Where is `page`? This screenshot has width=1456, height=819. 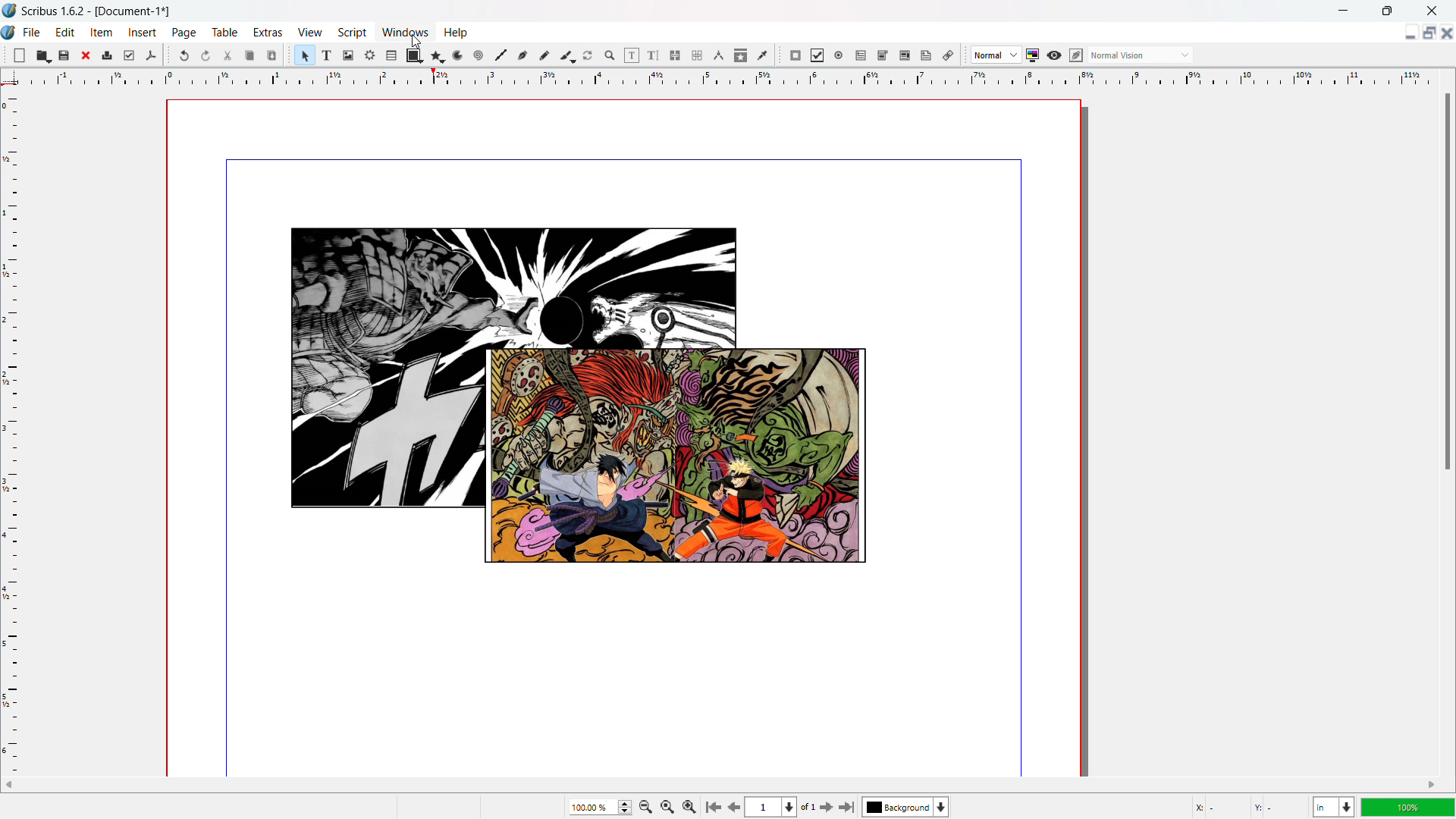 page is located at coordinates (184, 32).